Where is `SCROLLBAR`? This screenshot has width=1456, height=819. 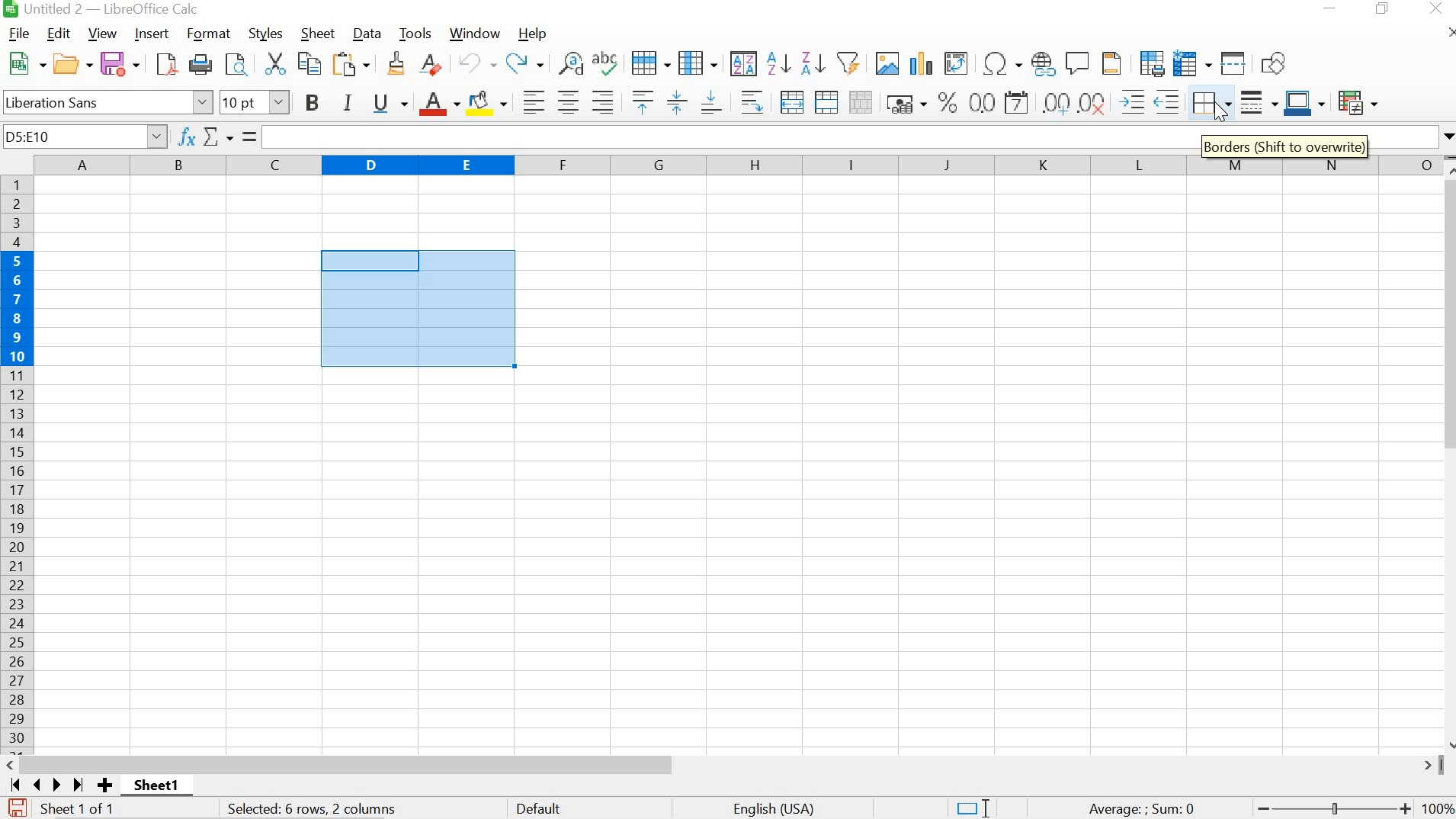 SCROLLBAR is located at coordinates (1447, 453).